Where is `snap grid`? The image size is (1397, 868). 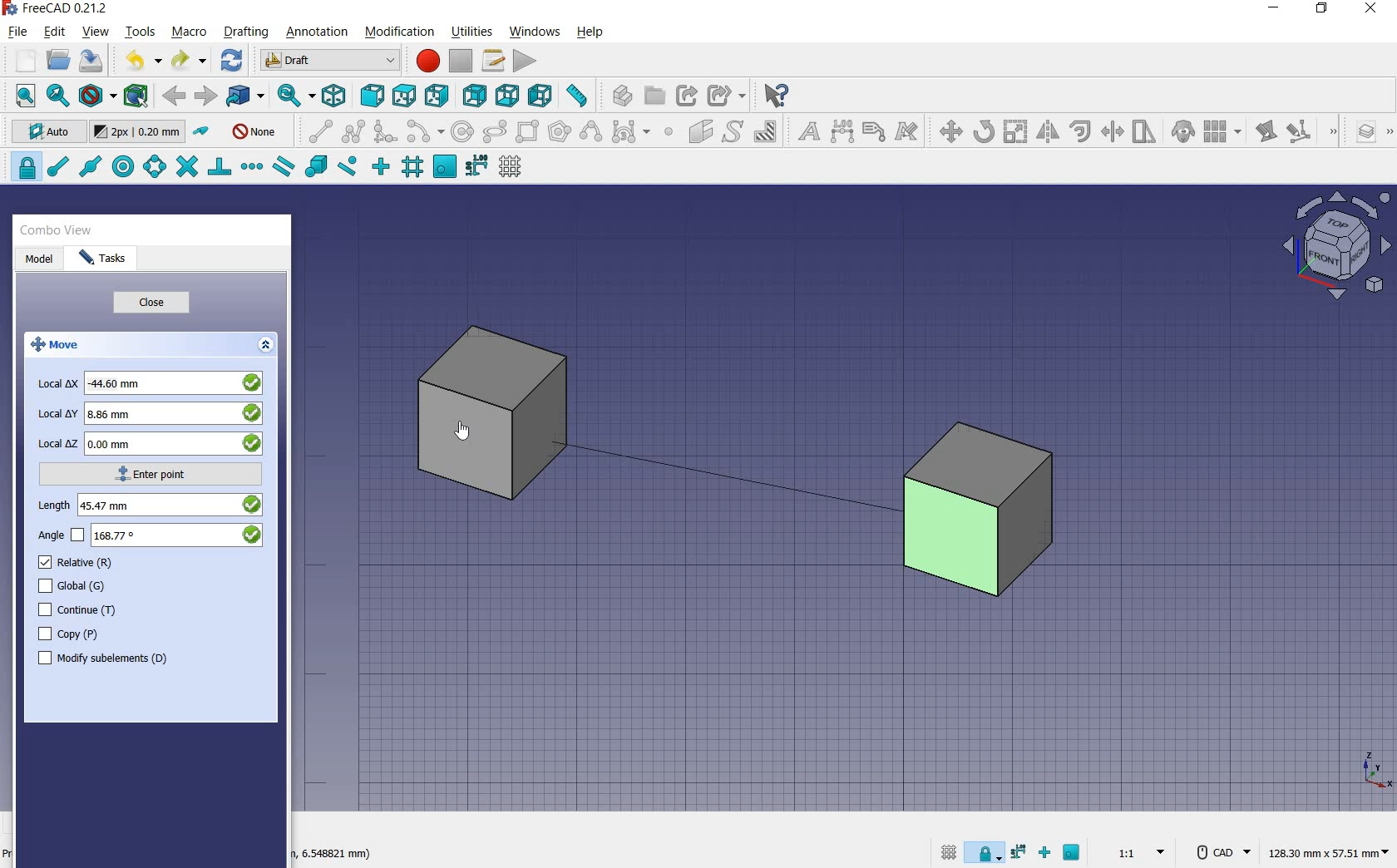 snap grid is located at coordinates (412, 168).